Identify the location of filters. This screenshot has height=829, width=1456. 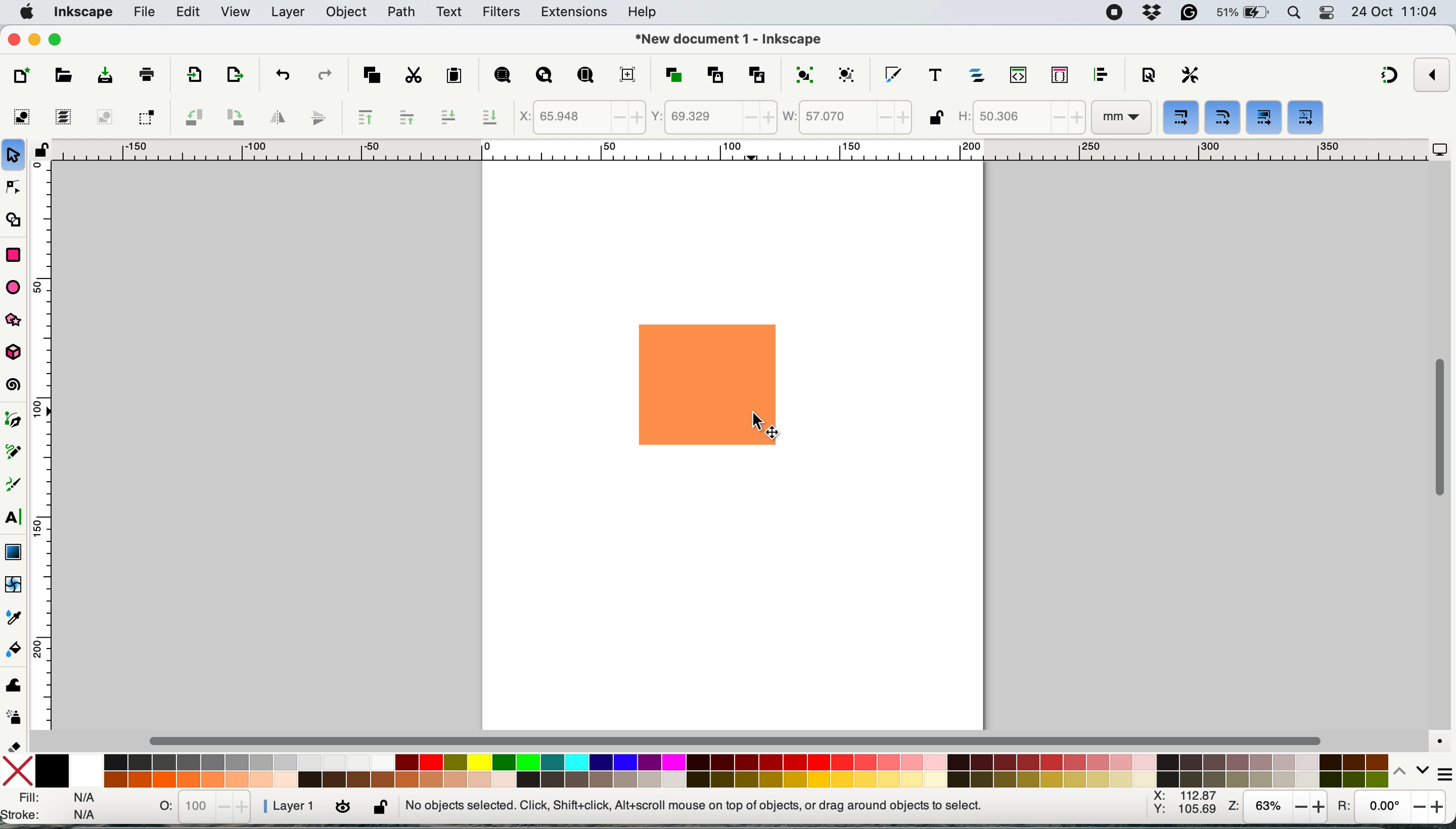
(502, 13).